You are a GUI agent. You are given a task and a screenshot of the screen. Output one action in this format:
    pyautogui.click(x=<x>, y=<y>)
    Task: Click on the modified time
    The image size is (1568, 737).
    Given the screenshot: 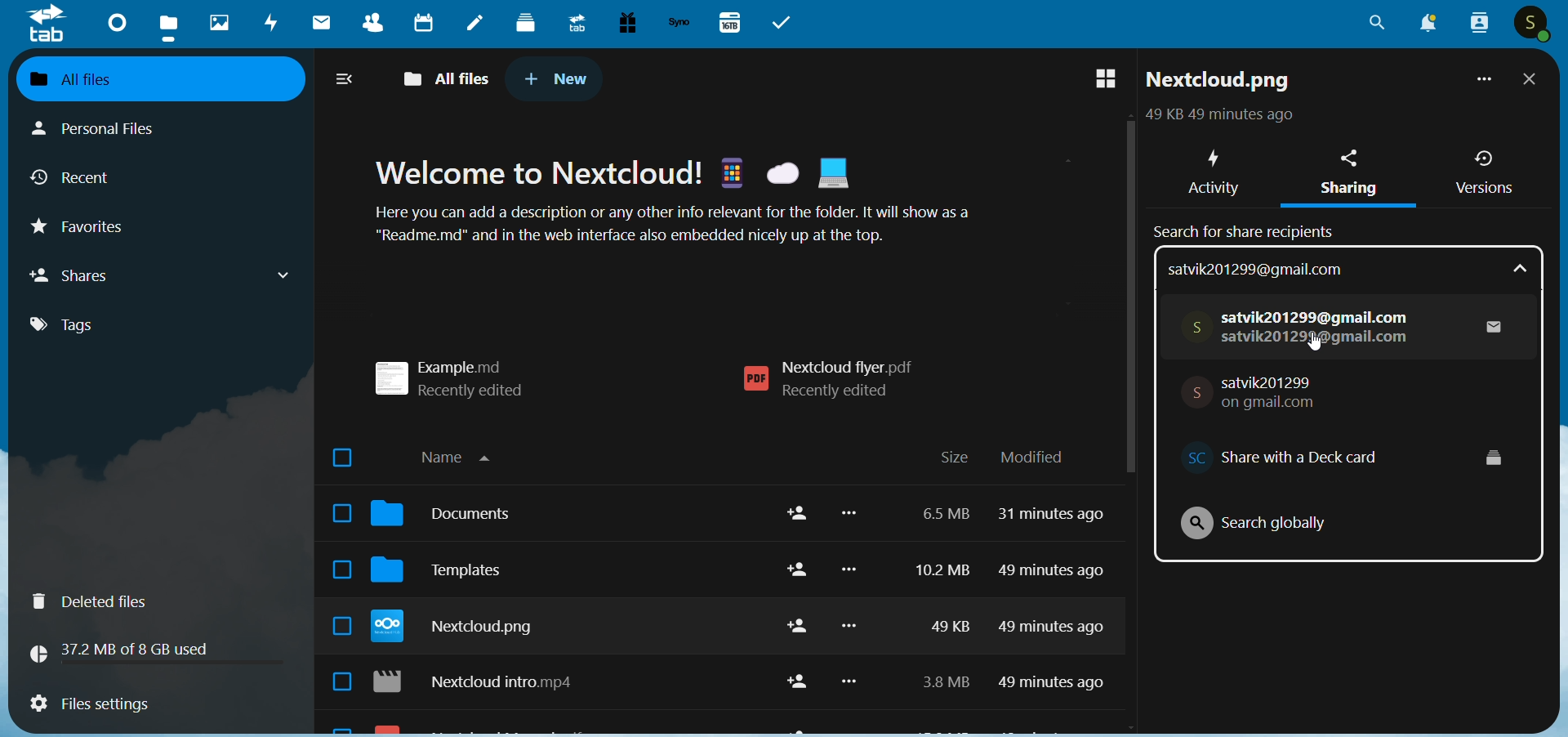 What is the action you would take?
    pyautogui.click(x=1056, y=606)
    